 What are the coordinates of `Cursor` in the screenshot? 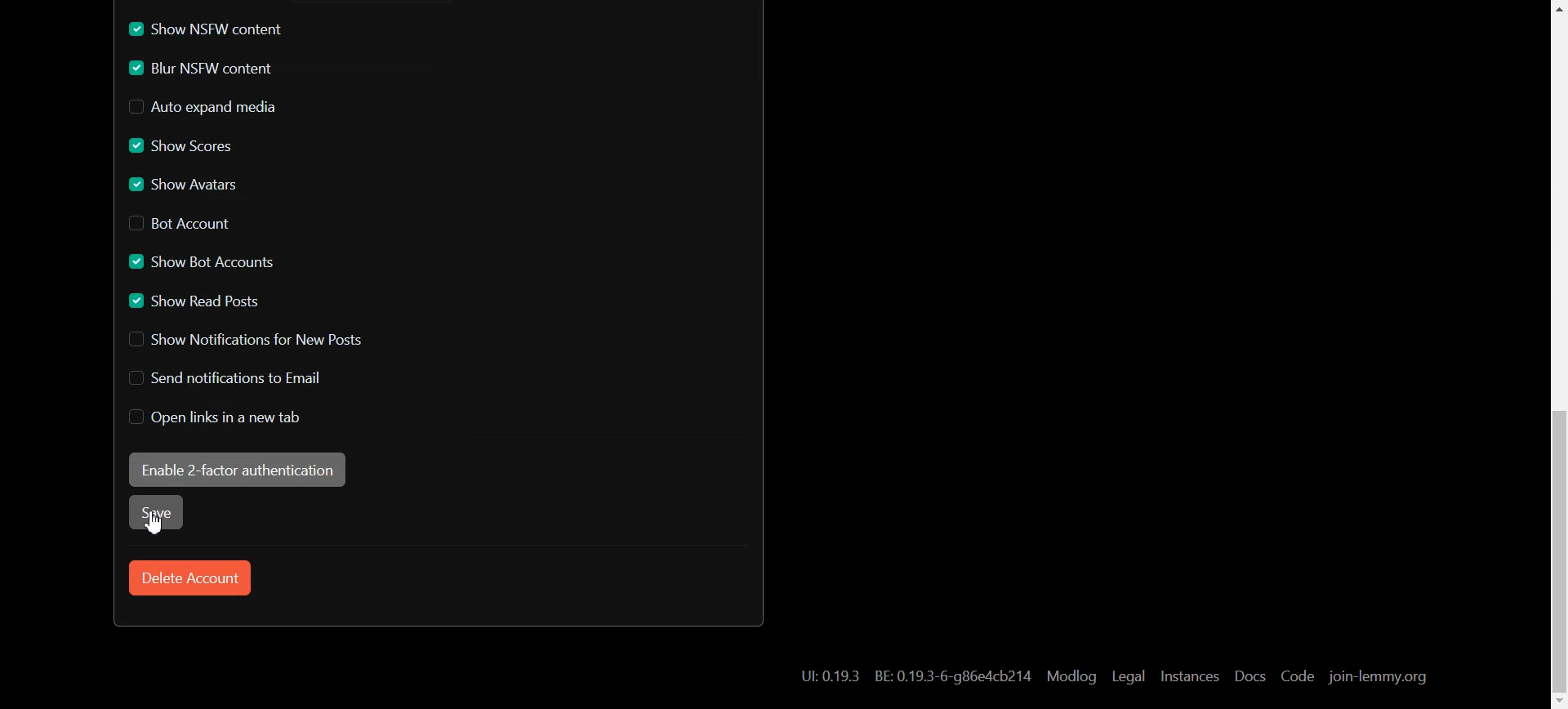 It's located at (157, 525).